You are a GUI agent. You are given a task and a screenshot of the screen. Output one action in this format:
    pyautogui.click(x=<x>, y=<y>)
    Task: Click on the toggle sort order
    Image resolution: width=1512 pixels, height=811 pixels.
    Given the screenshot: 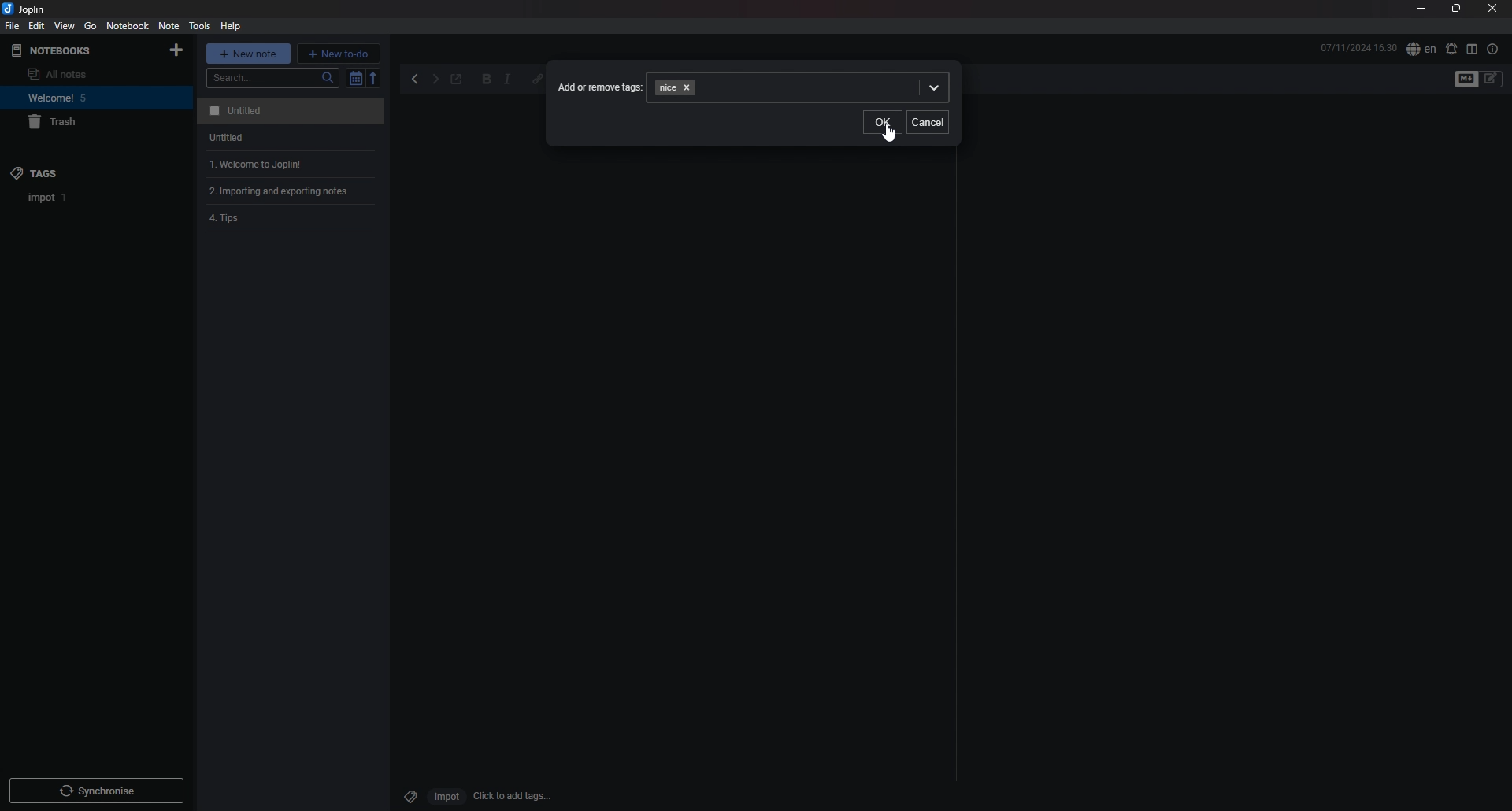 What is the action you would take?
    pyautogui.click(x=355, y=79)
    